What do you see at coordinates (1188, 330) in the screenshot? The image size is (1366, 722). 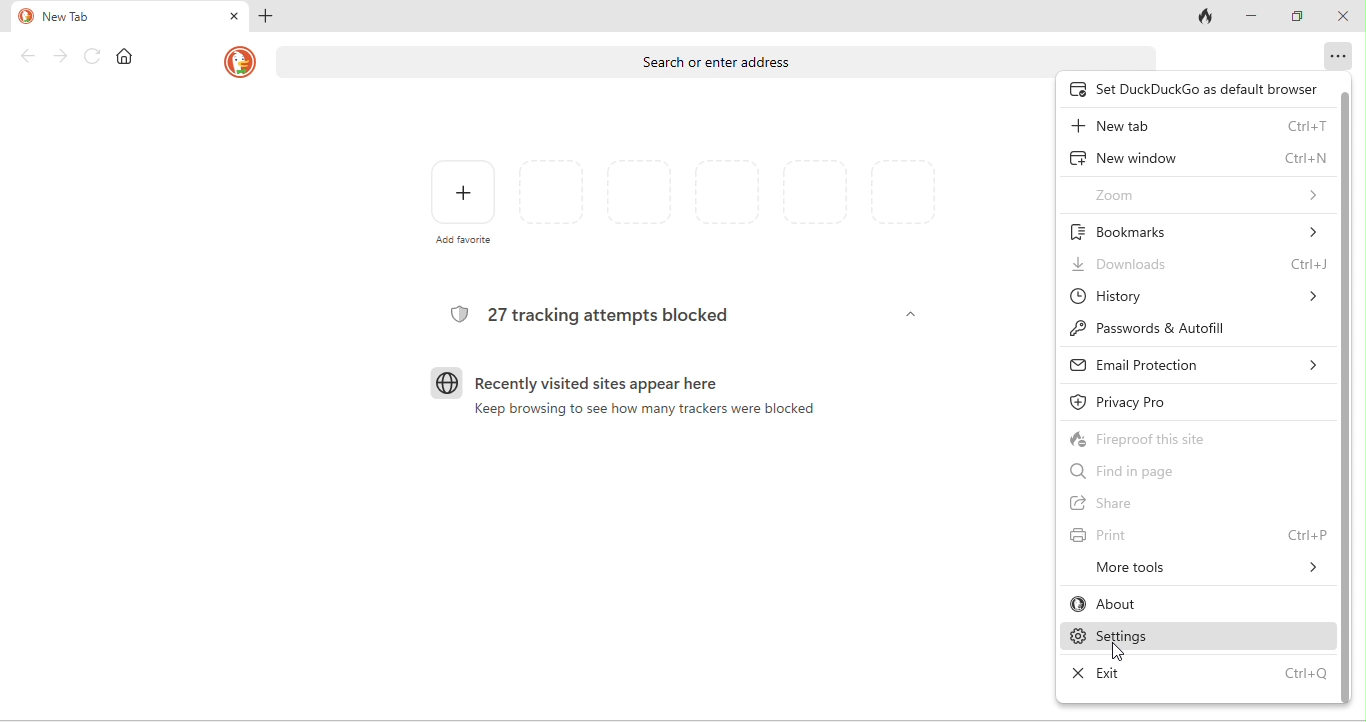 I see `passwords and autofill` at bounding box center [1188, 330].